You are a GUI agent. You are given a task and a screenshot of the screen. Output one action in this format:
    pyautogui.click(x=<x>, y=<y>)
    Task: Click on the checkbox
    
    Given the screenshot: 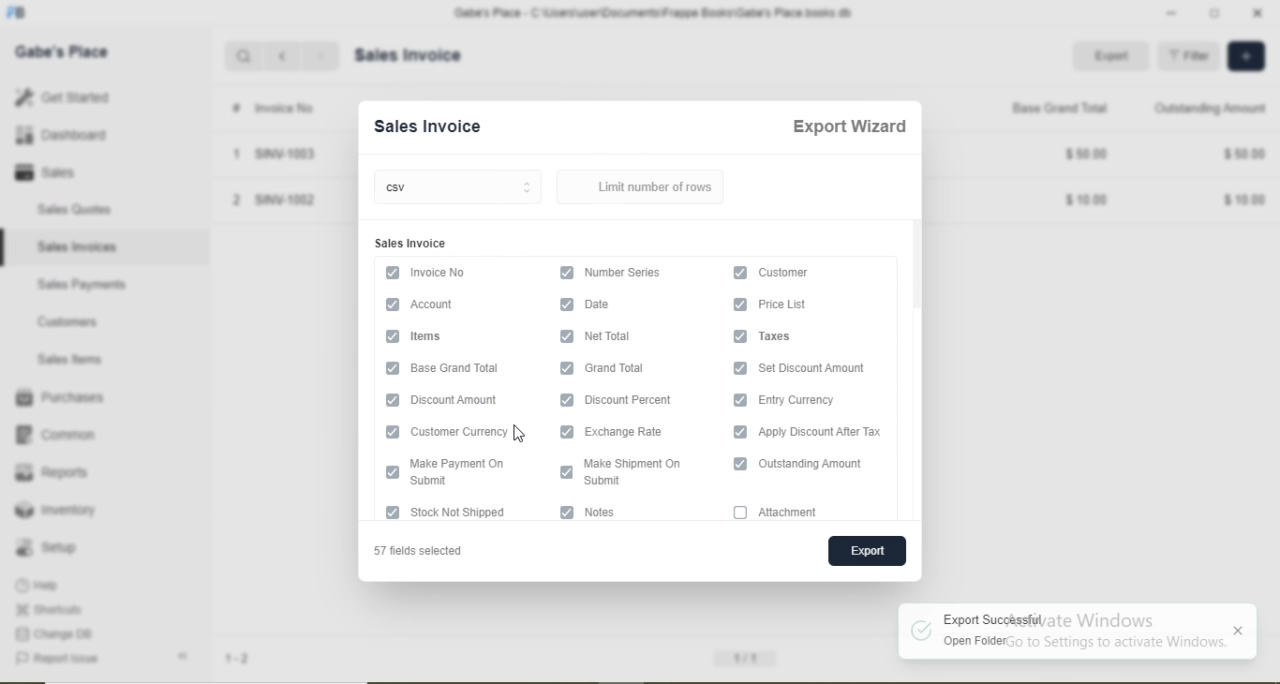 What is the action you would take?
    pyautogui.click(x=740, y=400)
    